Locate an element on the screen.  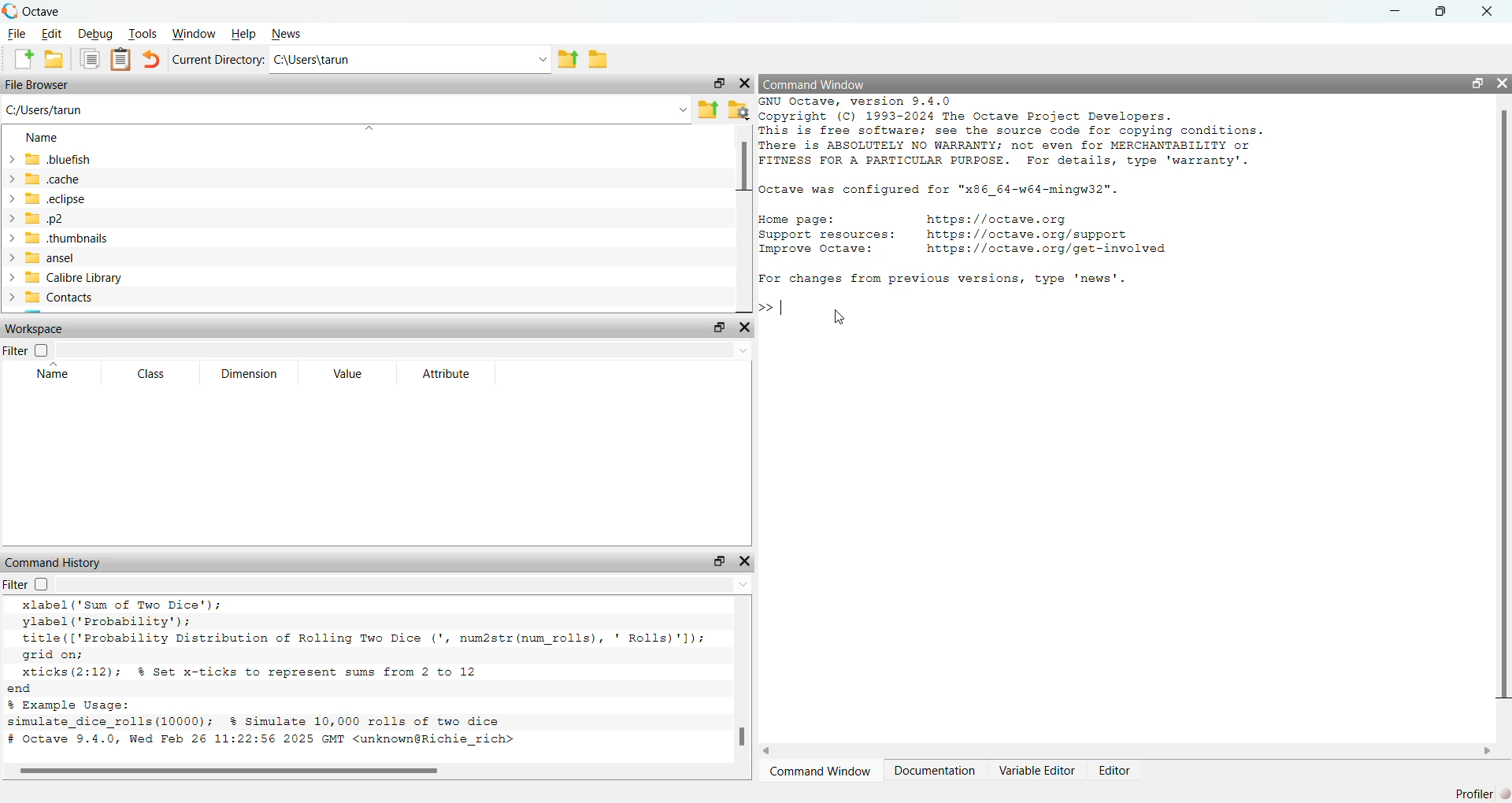
Close is located at coordinates (748, 560).